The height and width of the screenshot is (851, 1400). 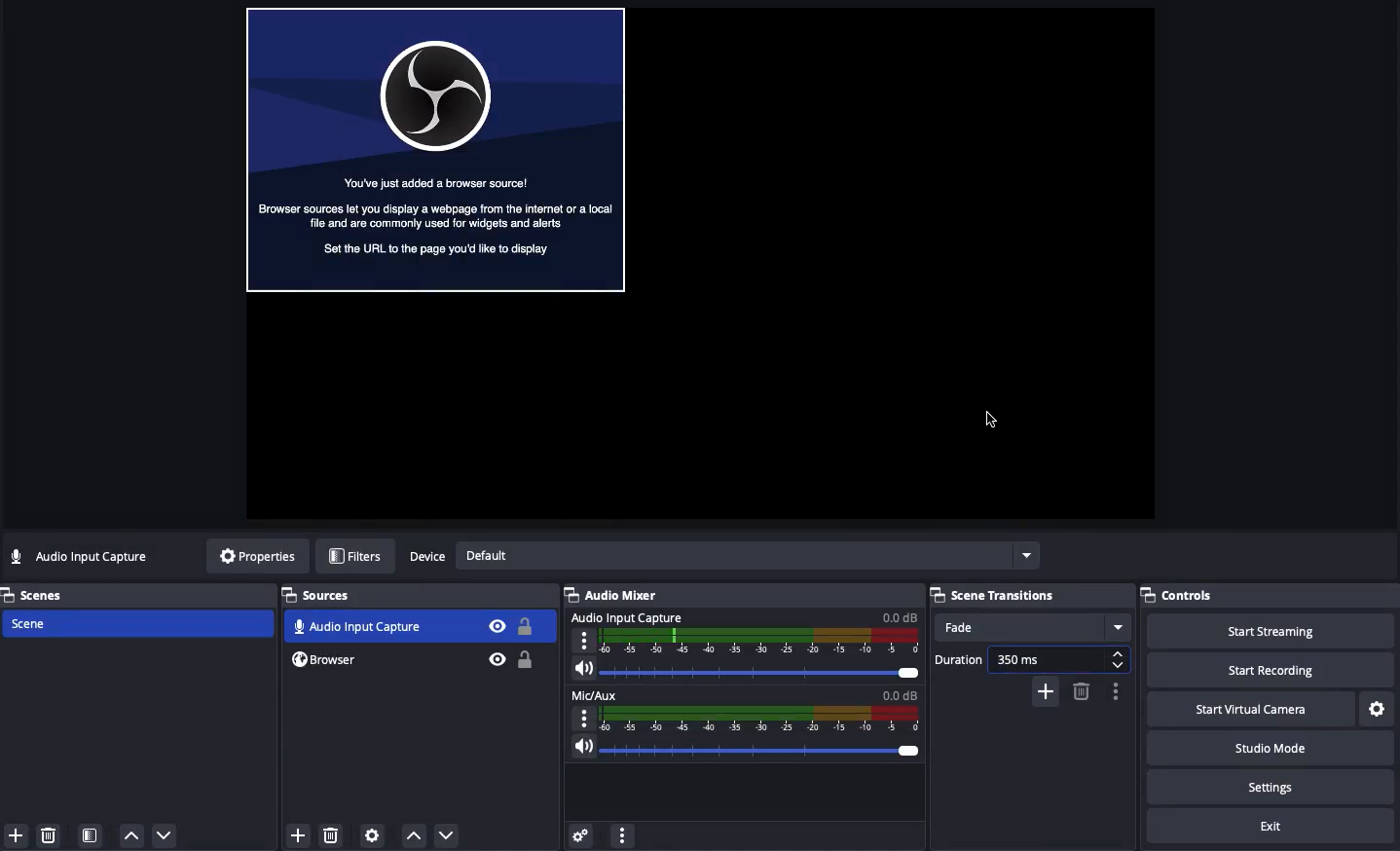 What do you see at coordinates (1045, 692) in the screenshot?
I see `Add` at bounding box center [1045, 692].